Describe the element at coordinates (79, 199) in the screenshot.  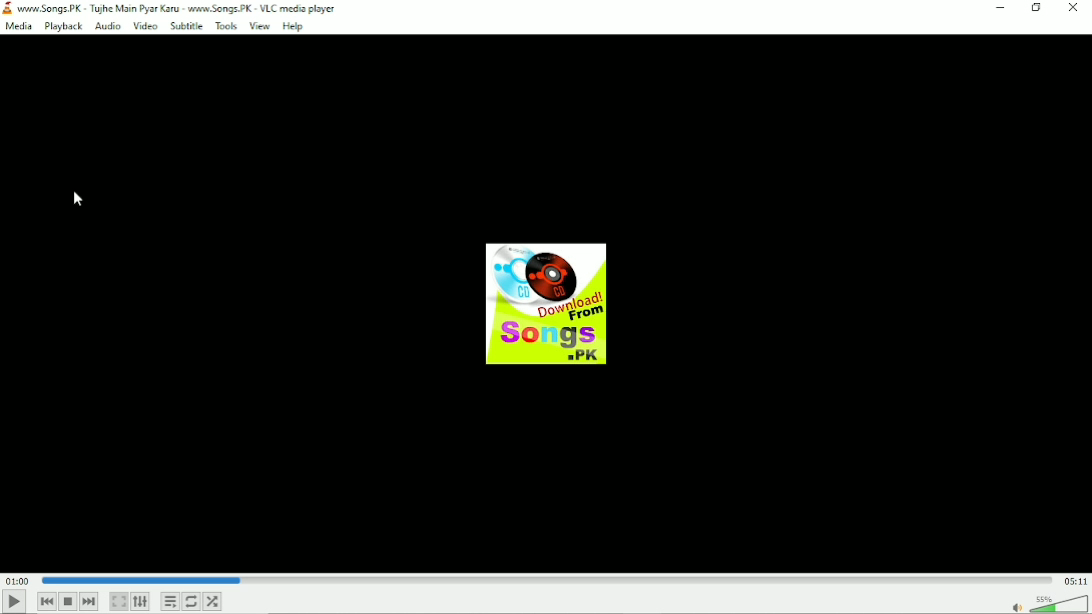
I see `Cursor` at that location.